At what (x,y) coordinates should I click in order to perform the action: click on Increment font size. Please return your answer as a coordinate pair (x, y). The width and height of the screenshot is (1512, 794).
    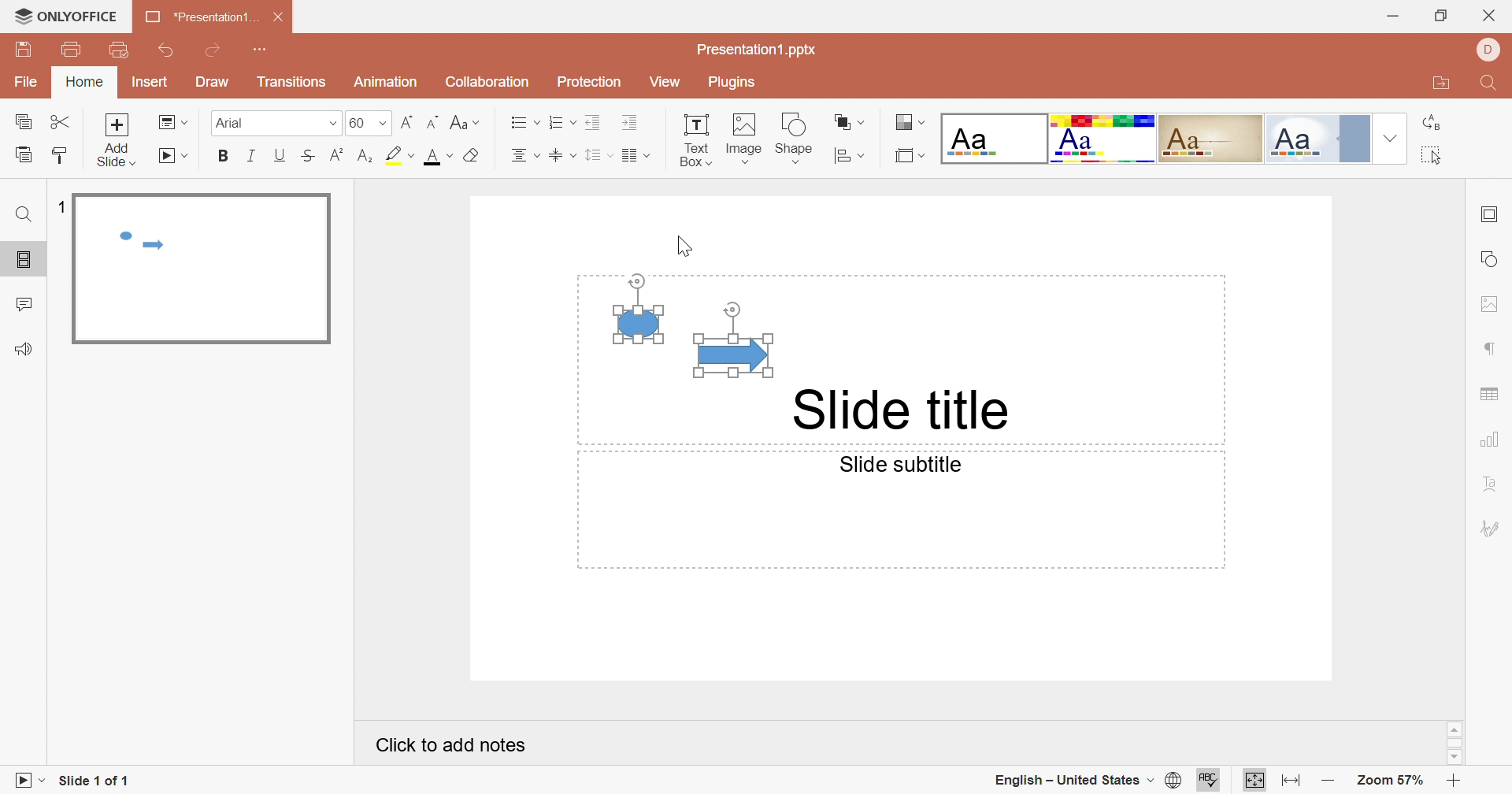
    Looking at the image, I should click on (407, 121).